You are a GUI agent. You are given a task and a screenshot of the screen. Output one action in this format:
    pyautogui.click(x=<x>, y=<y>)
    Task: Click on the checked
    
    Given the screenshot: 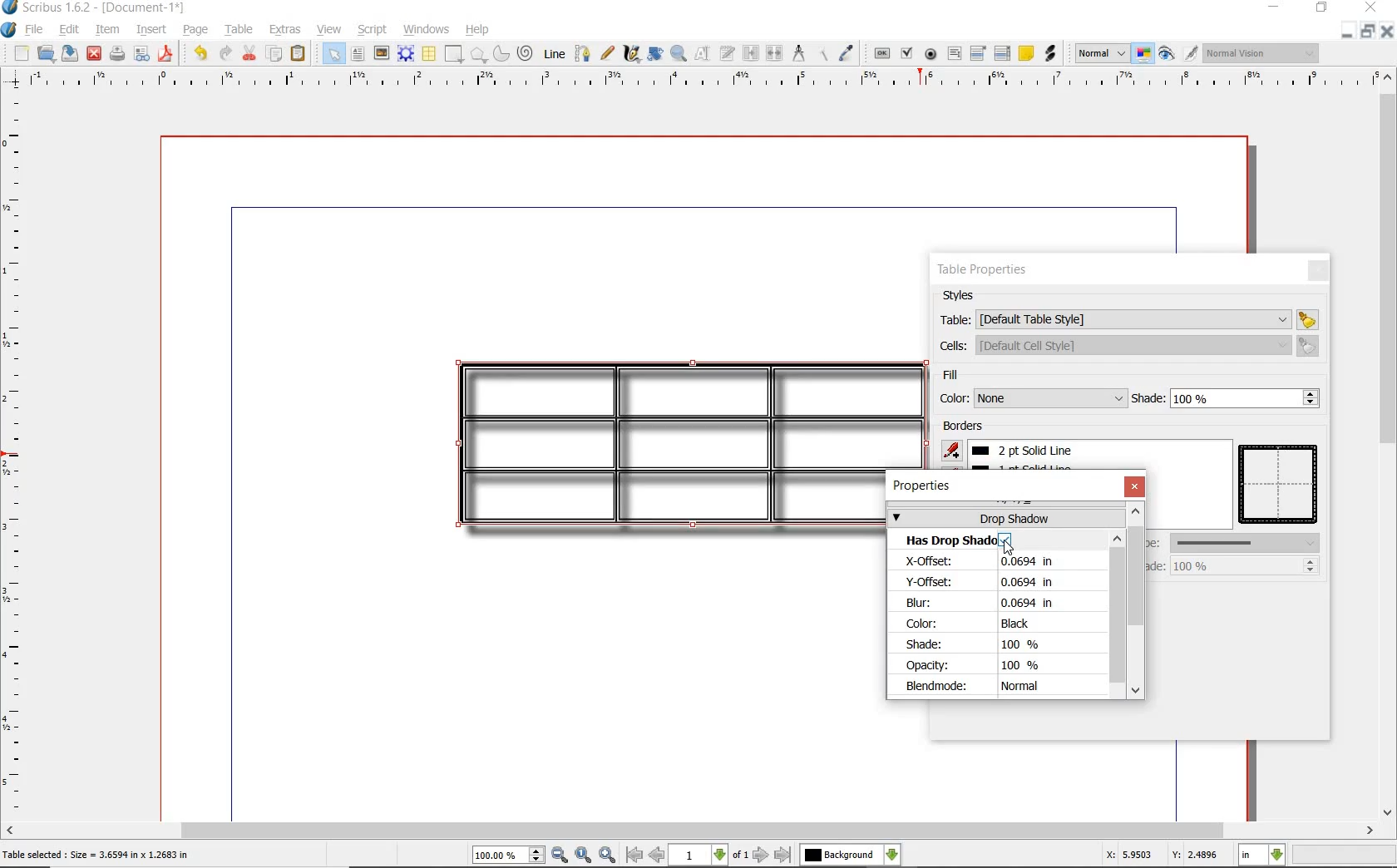 What is the action you would take?
    pyautogui.click(x=1005, y=540)
    